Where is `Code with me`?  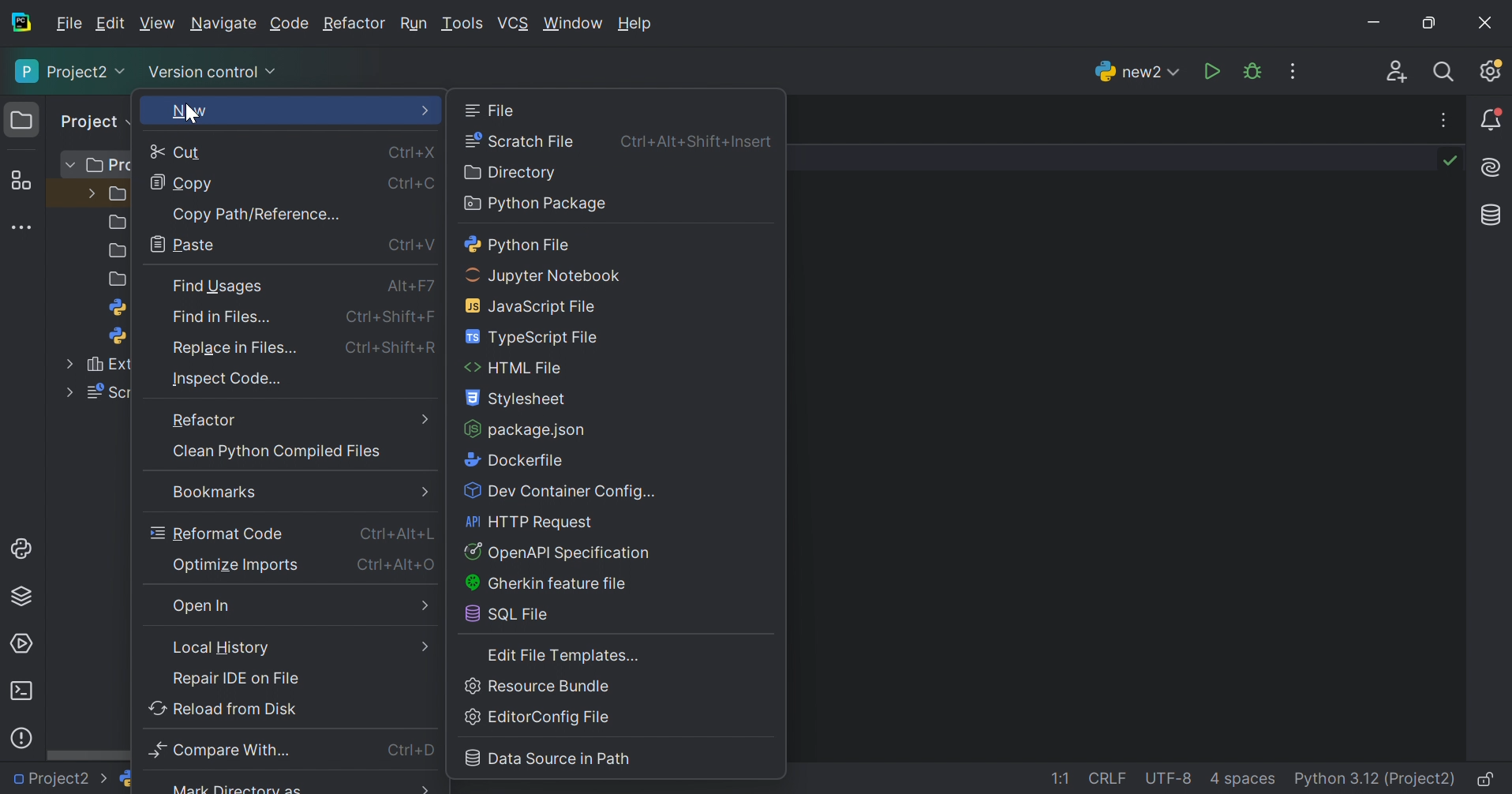
Code with me is located at coordinates (1398, 72).